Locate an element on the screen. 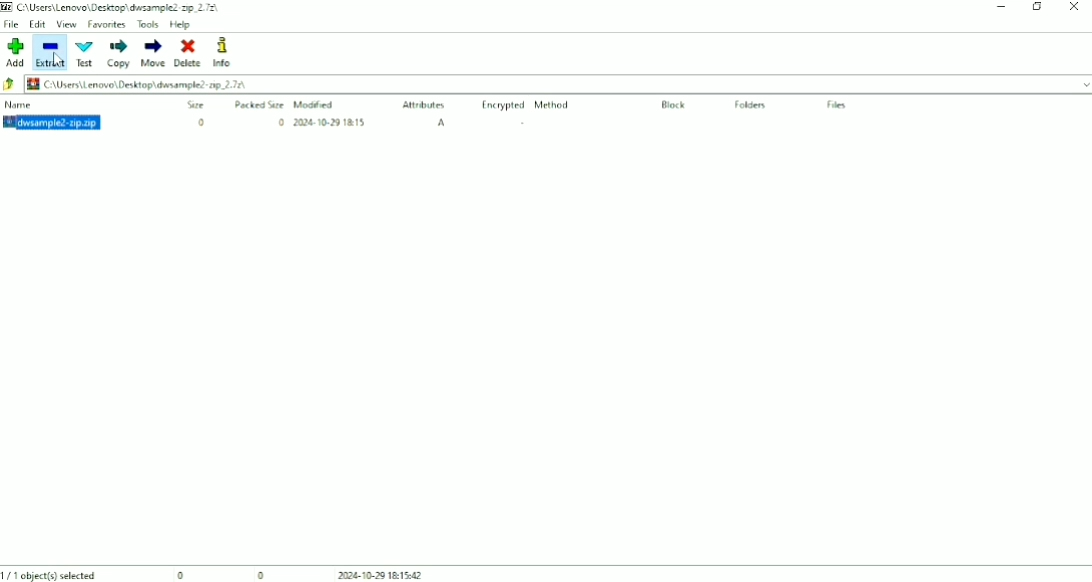 The image size is (1092, 582). A is located at coordinates (443, 123).